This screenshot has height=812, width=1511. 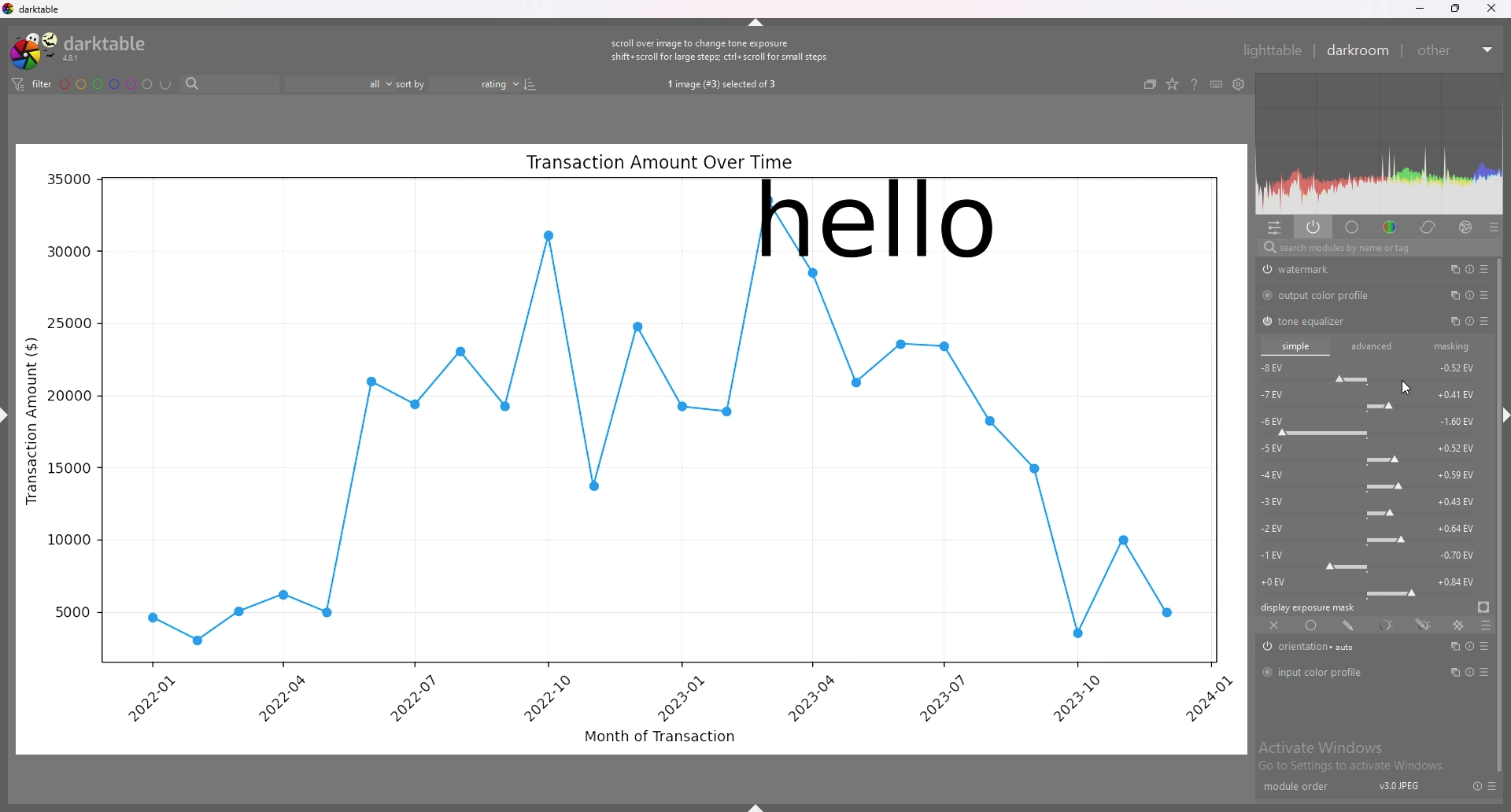 I want to click on -4 EV force, so click(x=1371, y=479).